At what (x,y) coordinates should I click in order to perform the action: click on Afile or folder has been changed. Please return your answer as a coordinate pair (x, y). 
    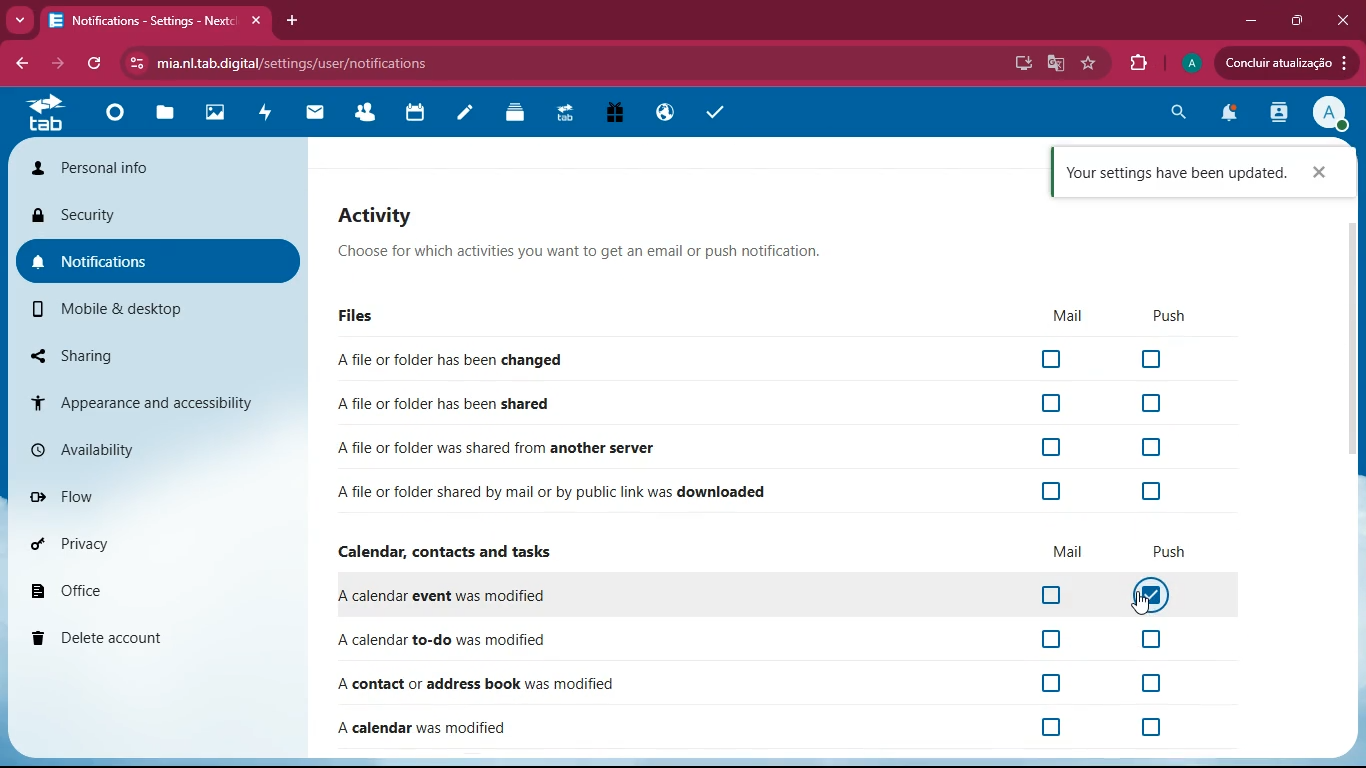
    Looking at the image, I should click on (446, 361).